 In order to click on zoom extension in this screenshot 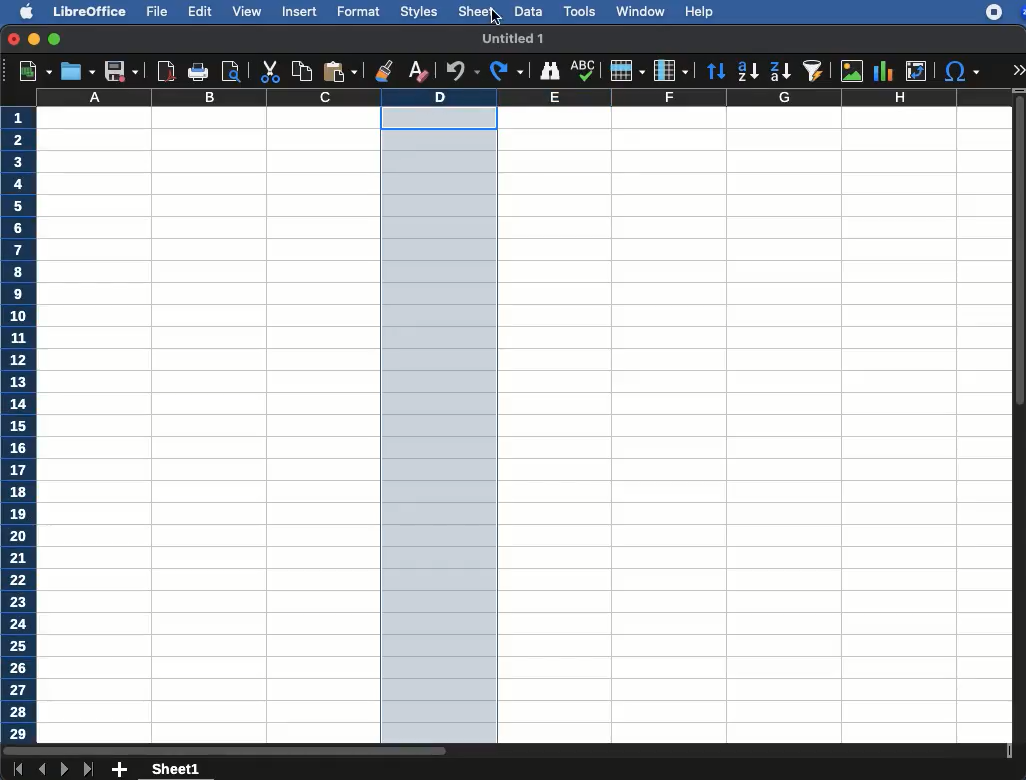, I will do `click(1020, 12)`.